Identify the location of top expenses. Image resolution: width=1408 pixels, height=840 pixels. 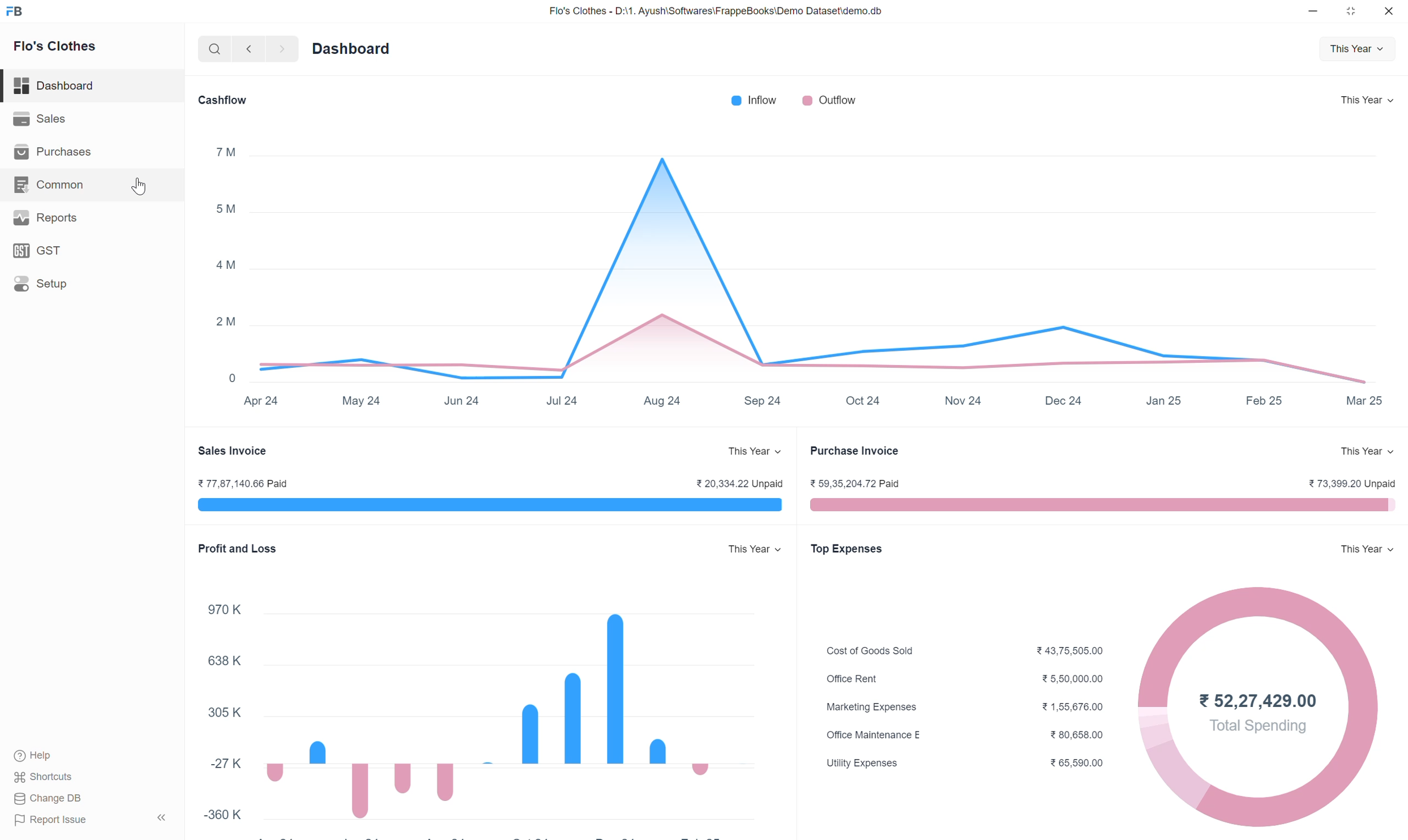
(851, 550).